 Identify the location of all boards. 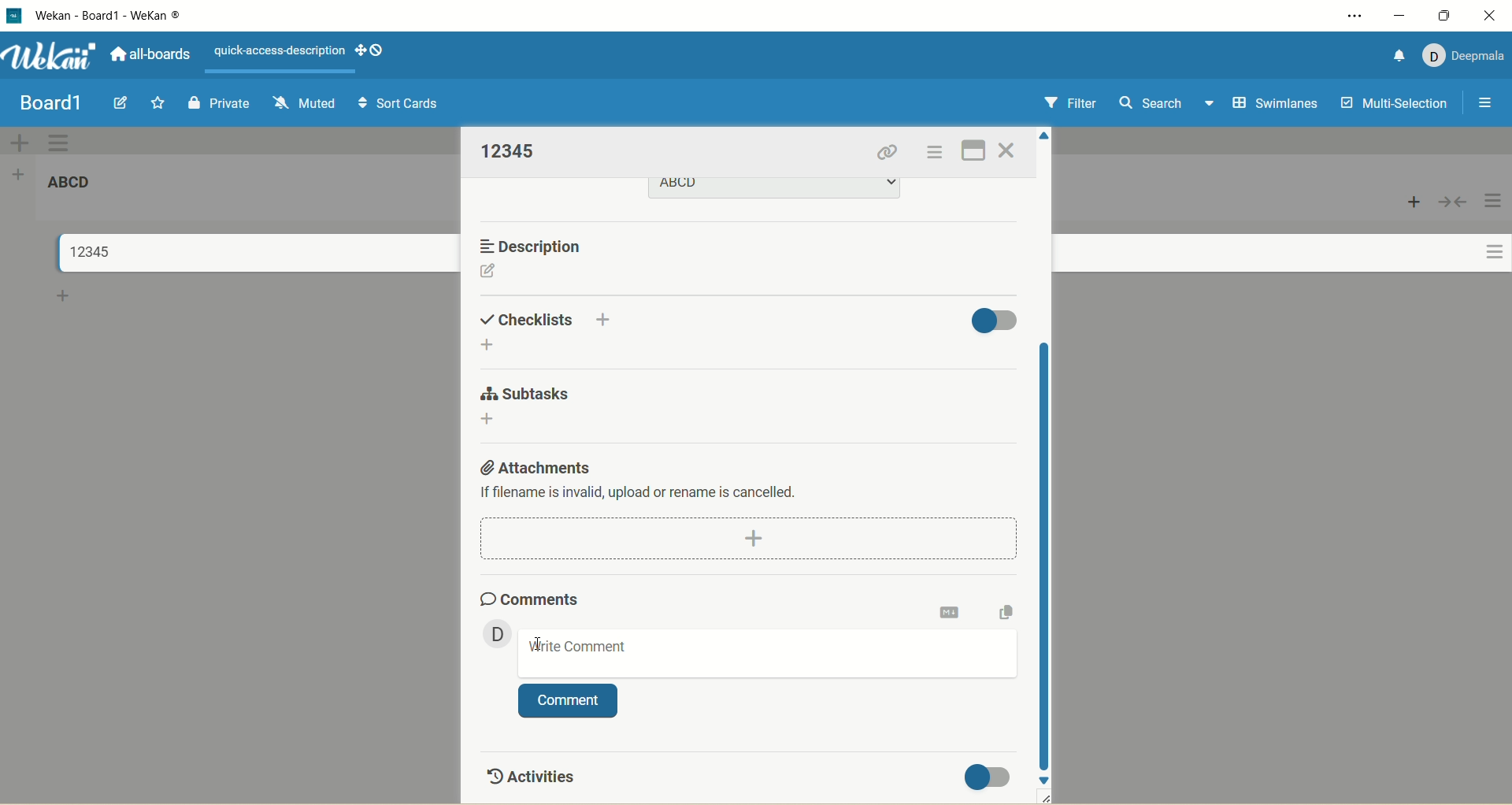
(149, 57).